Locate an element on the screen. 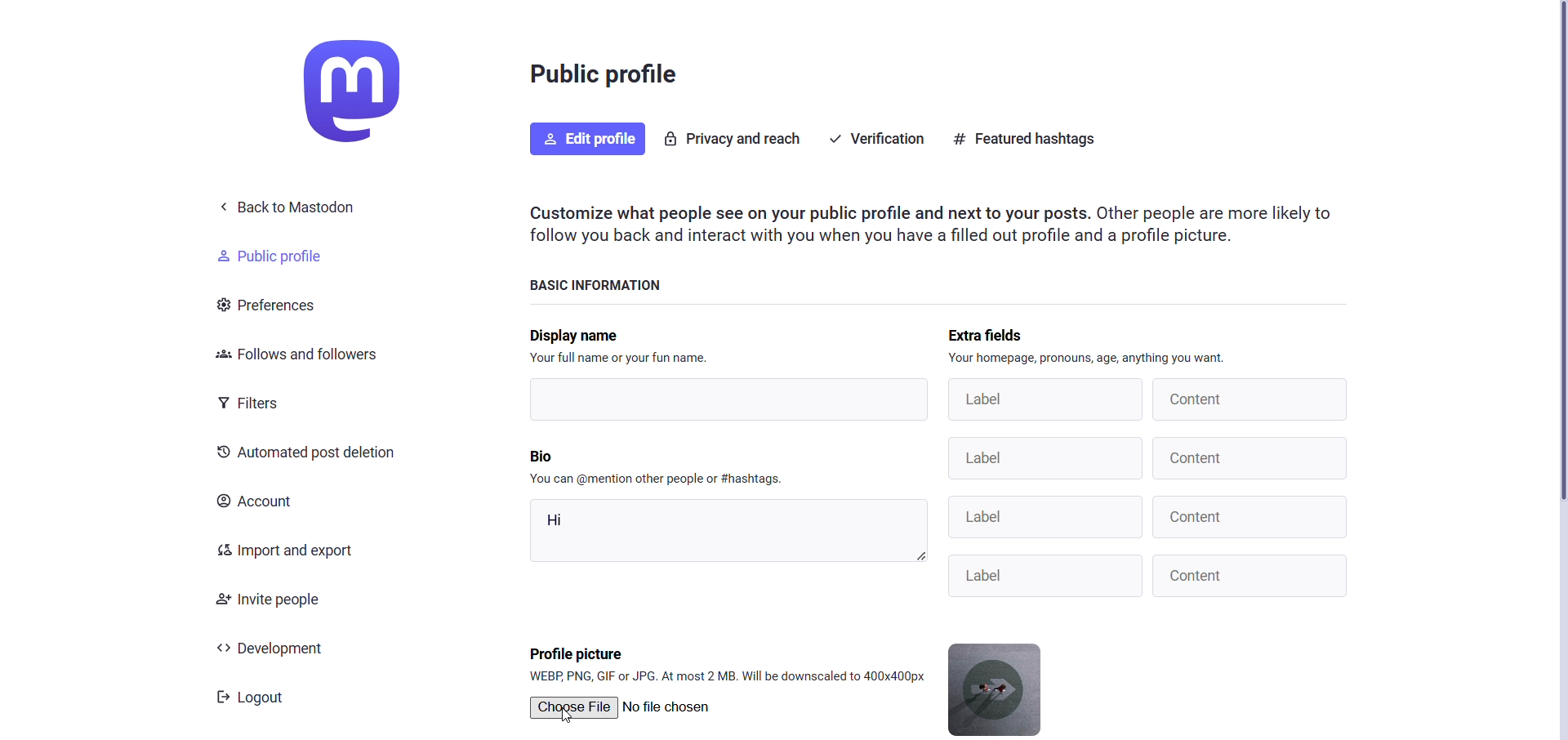 The width and height of the screenshot is (1568, 740). label is located at coordinates (1045, 400).